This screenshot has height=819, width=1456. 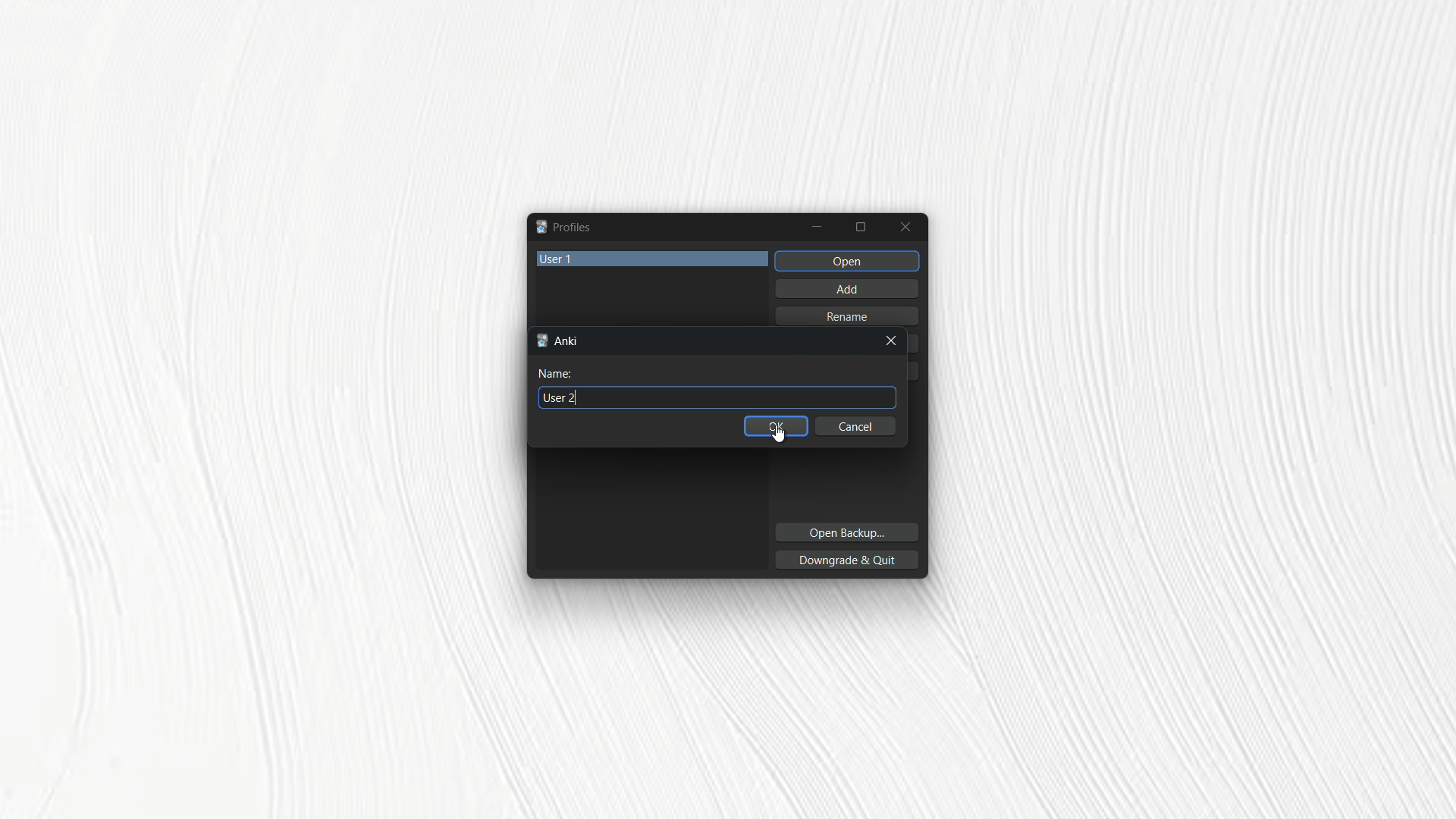 I want to click on App name, so click(x=560, y=340).